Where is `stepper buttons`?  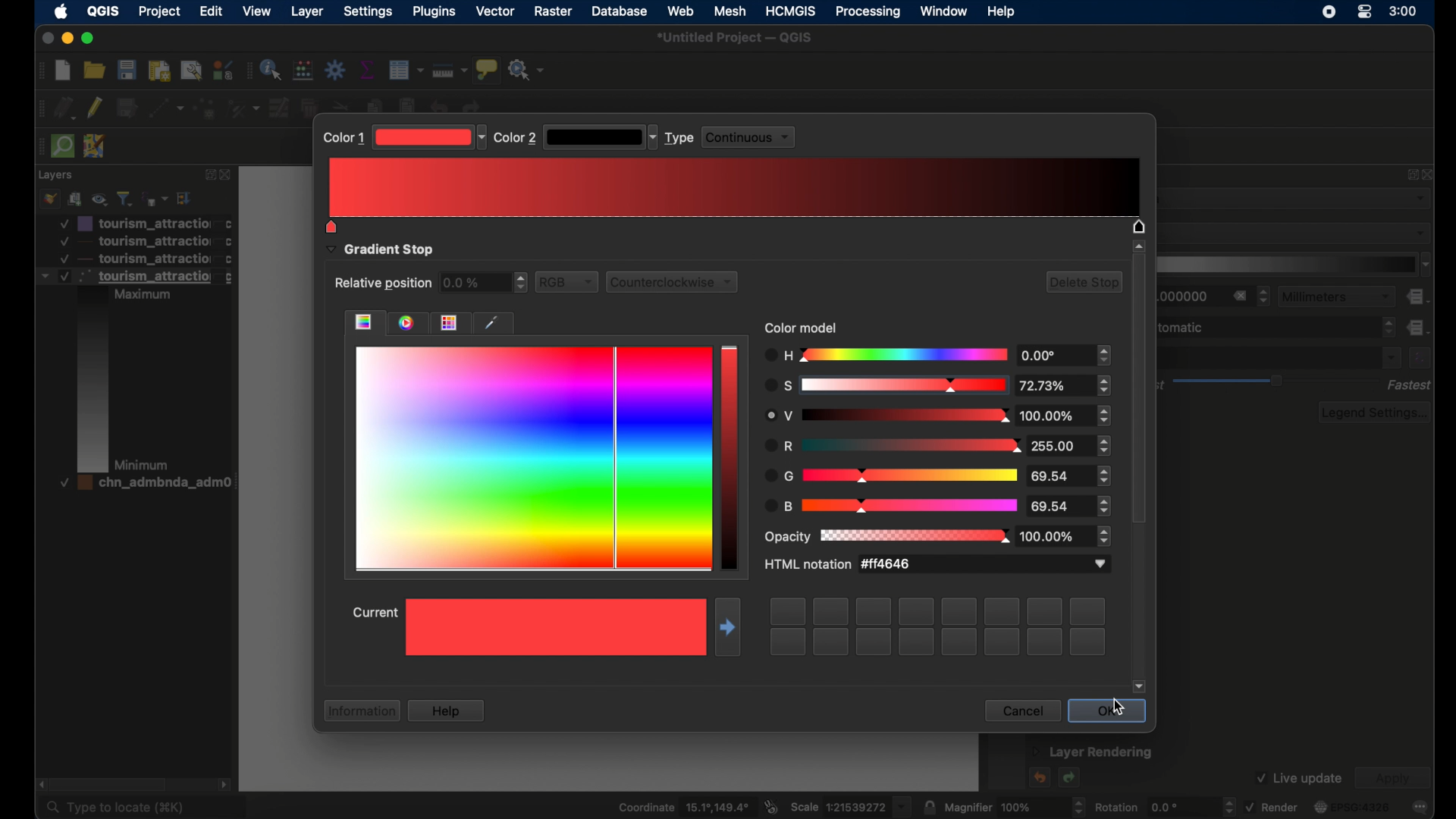
stepper buttons is located at coordinates (1069, 476).